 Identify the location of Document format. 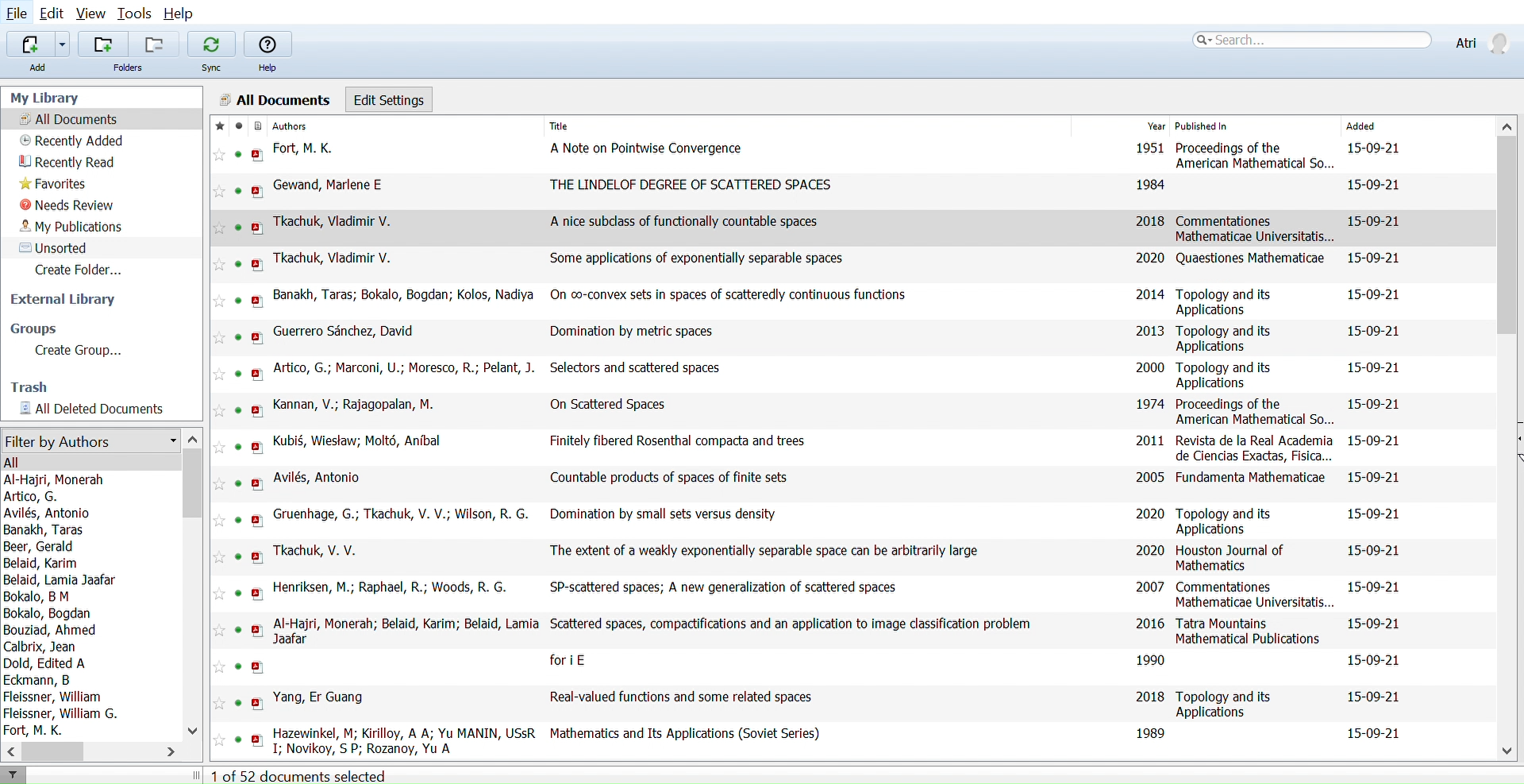
(256, 126).